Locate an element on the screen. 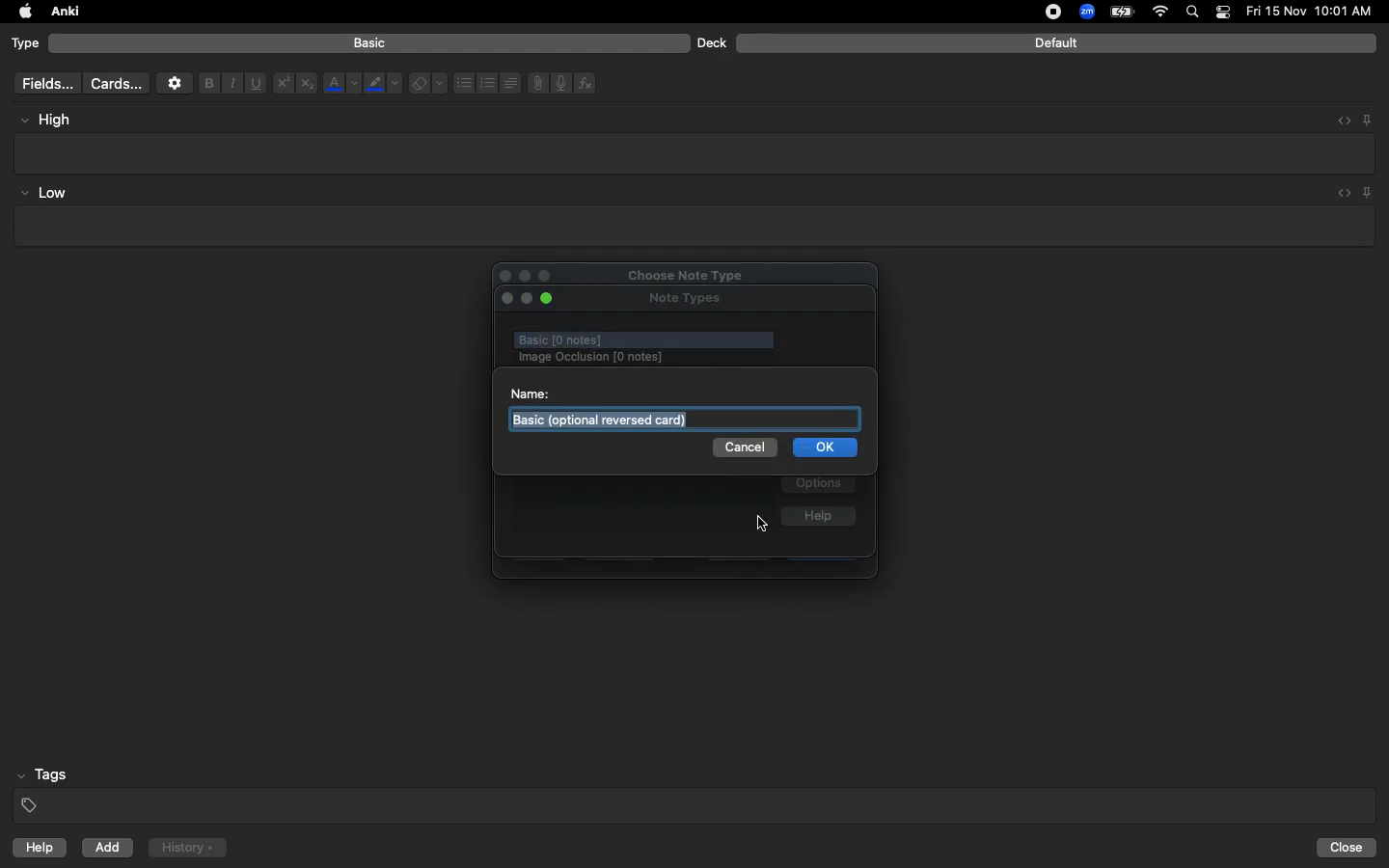 The width and height of the screenshot is (1389, 868). Zoom is located at coordinates (1085, 13).